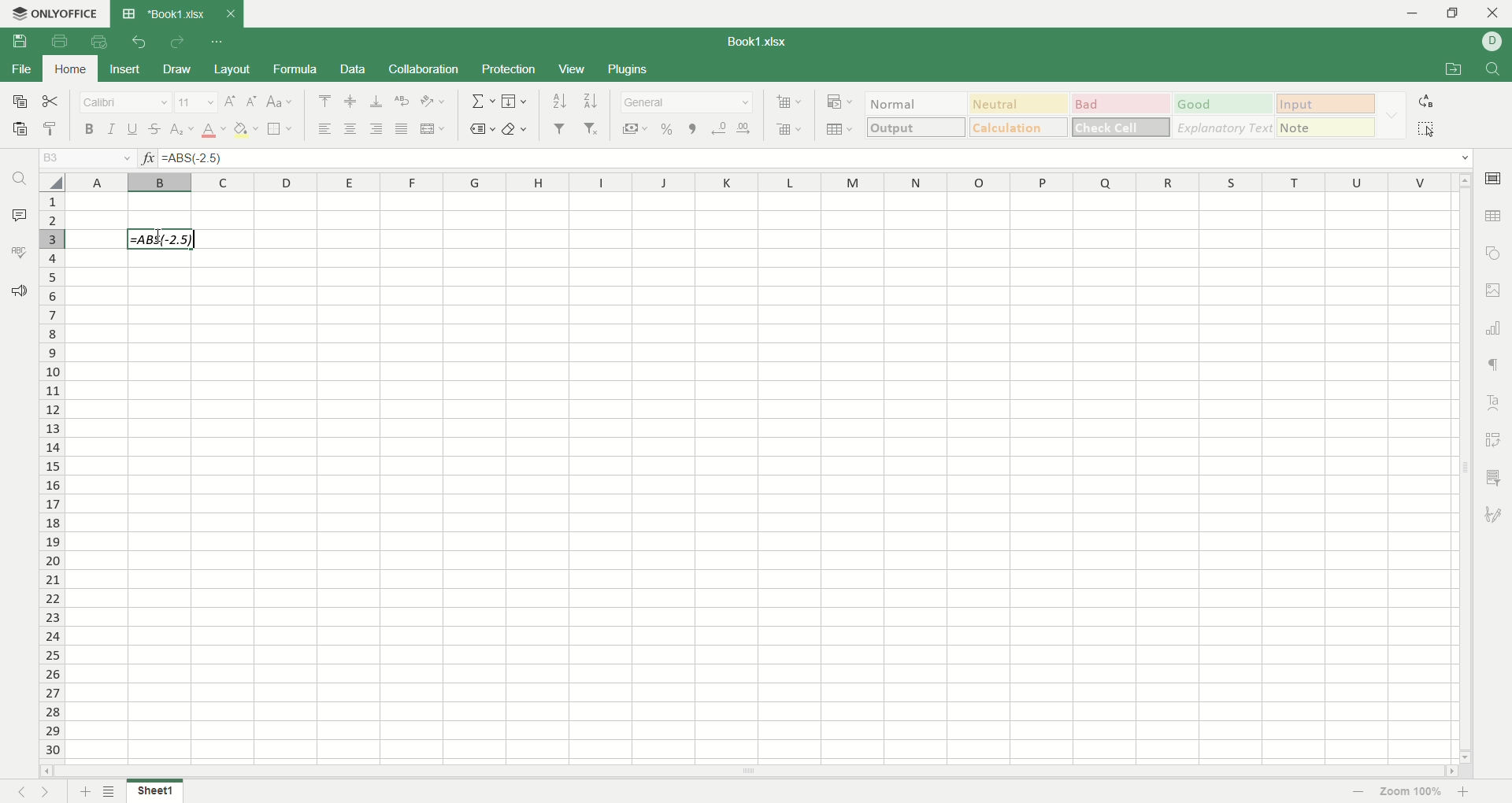 The image size is (1512, 803). Describe the element at coordinates (325, 101) in the screenshot. I see `align top` at that location.